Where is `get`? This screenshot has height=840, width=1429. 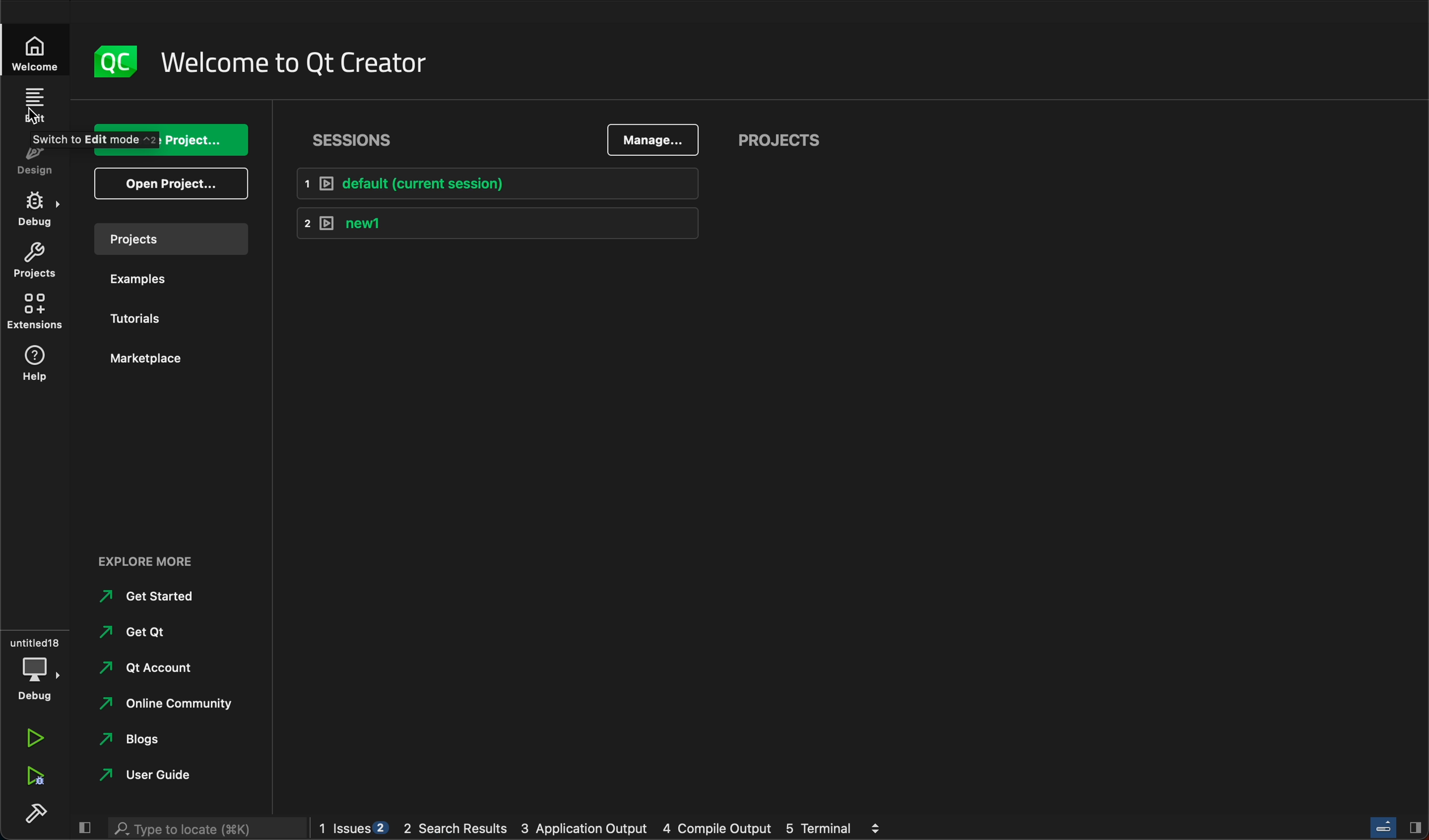 get is located at coordinates (141, 630).